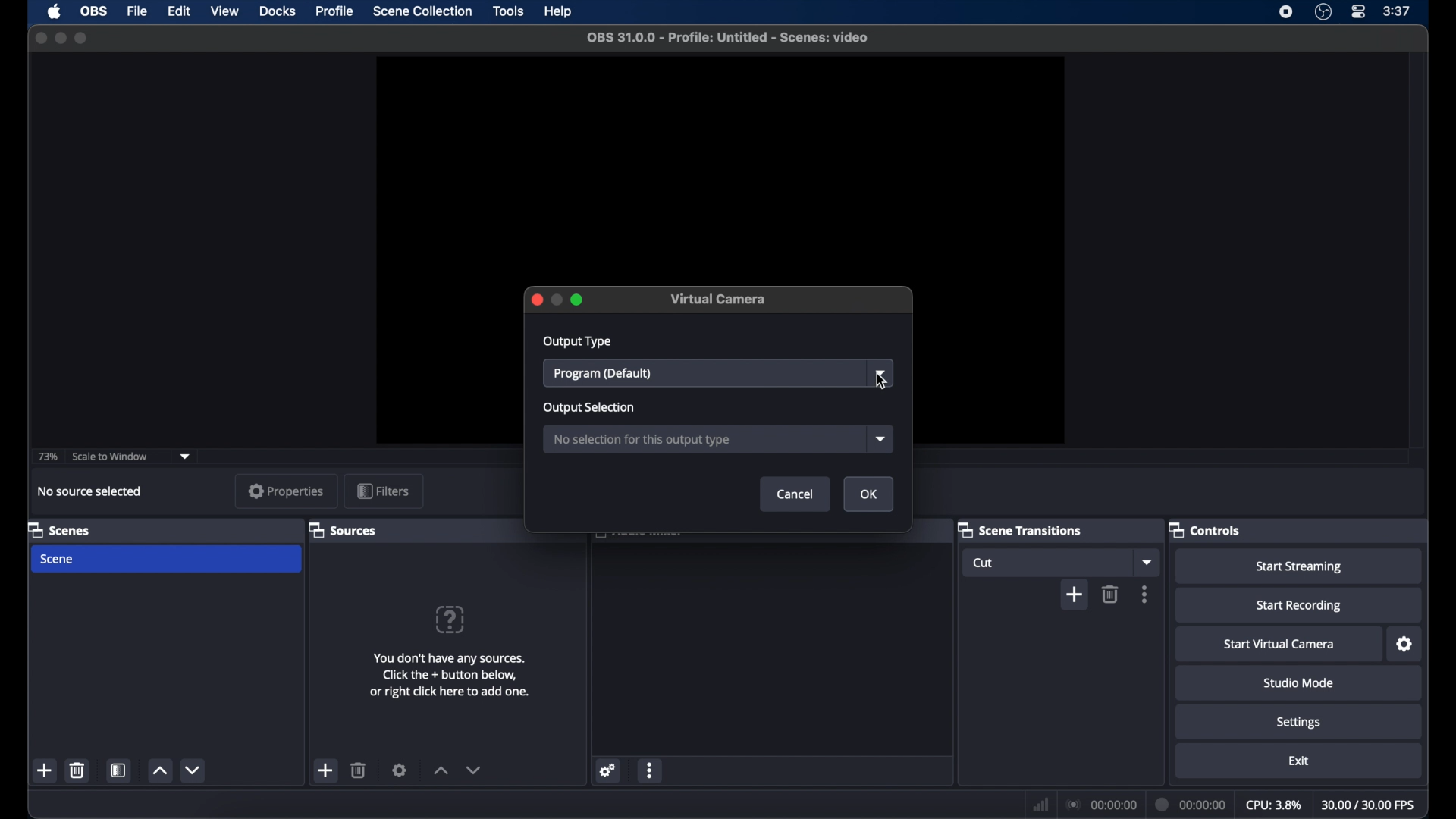 This screenshot has width=1456, height=819. Describe the element at coordinates (178, 11) in the screenshot. I see `edit` at that location.